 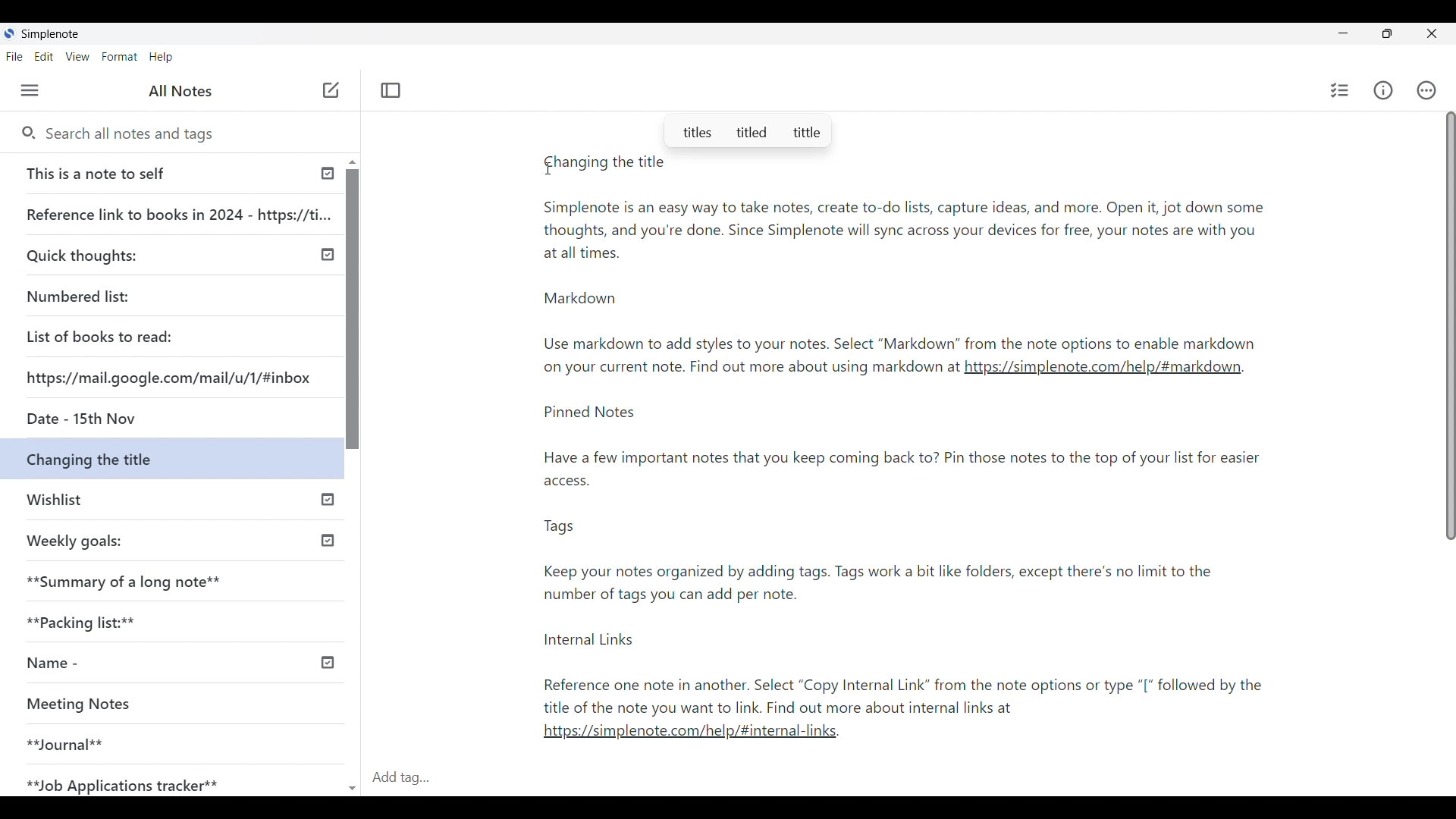 I want to click on View menu , so click(x=78, y=56).